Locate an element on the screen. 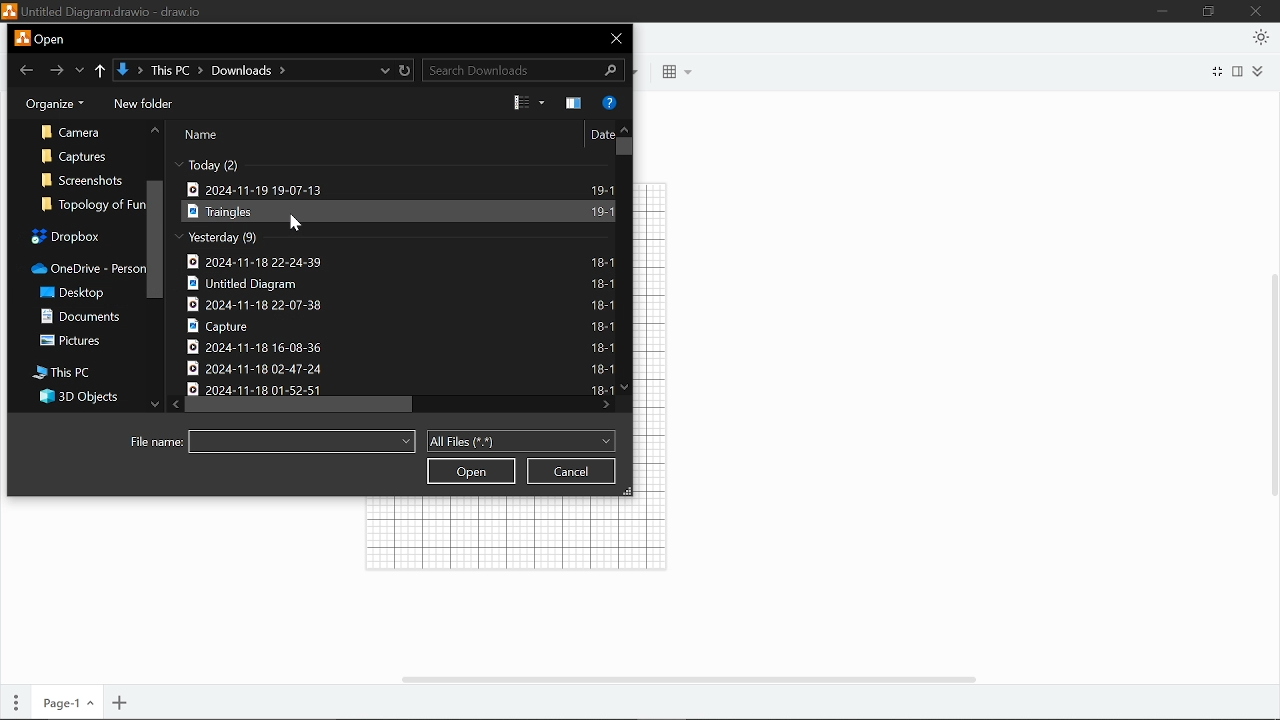 The width and height of the screenshot is (1280, 720). back is located at coordinates (23, 70).